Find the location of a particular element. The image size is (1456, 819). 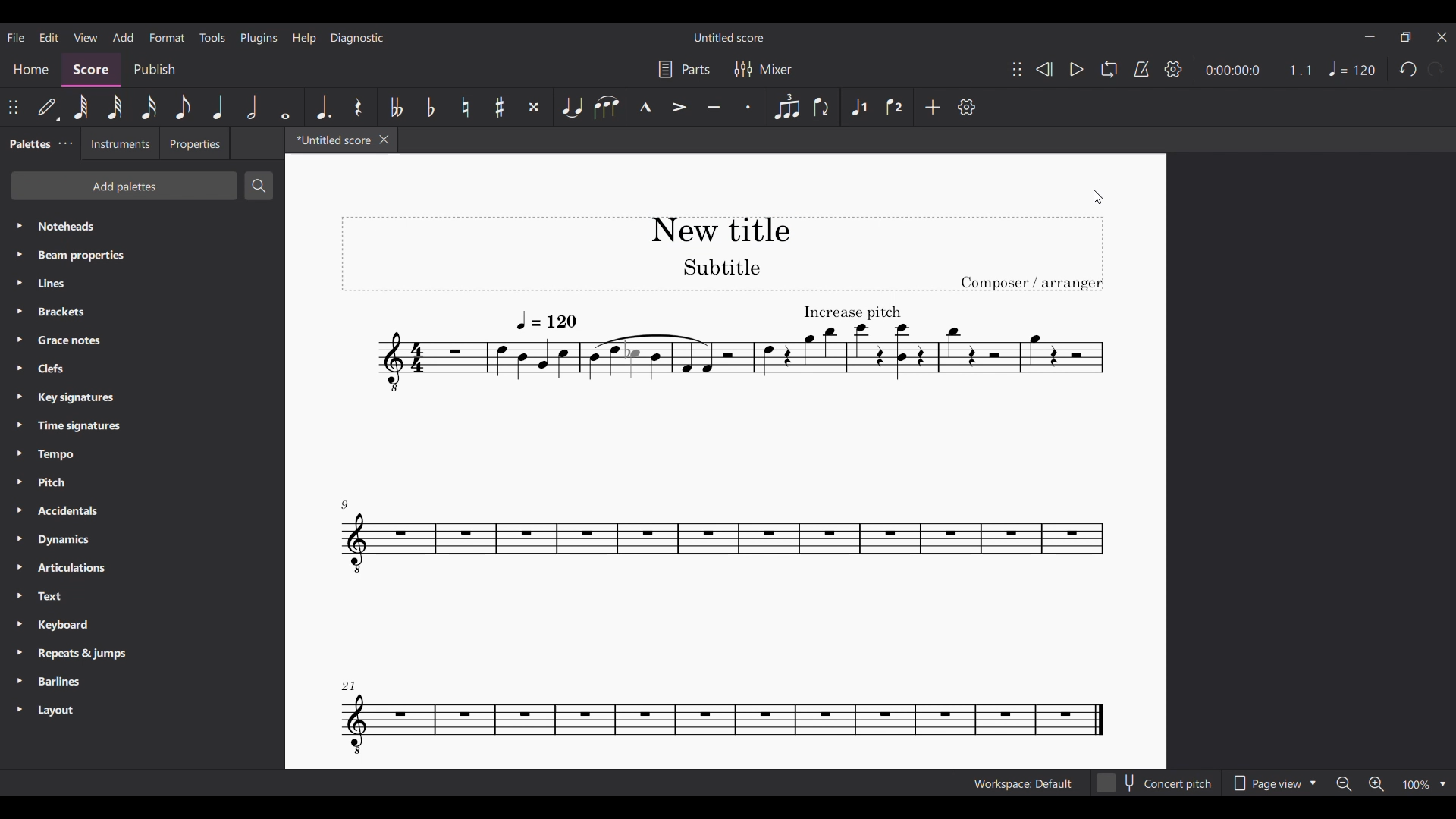

Undo is located at coordinates (1408, 70).